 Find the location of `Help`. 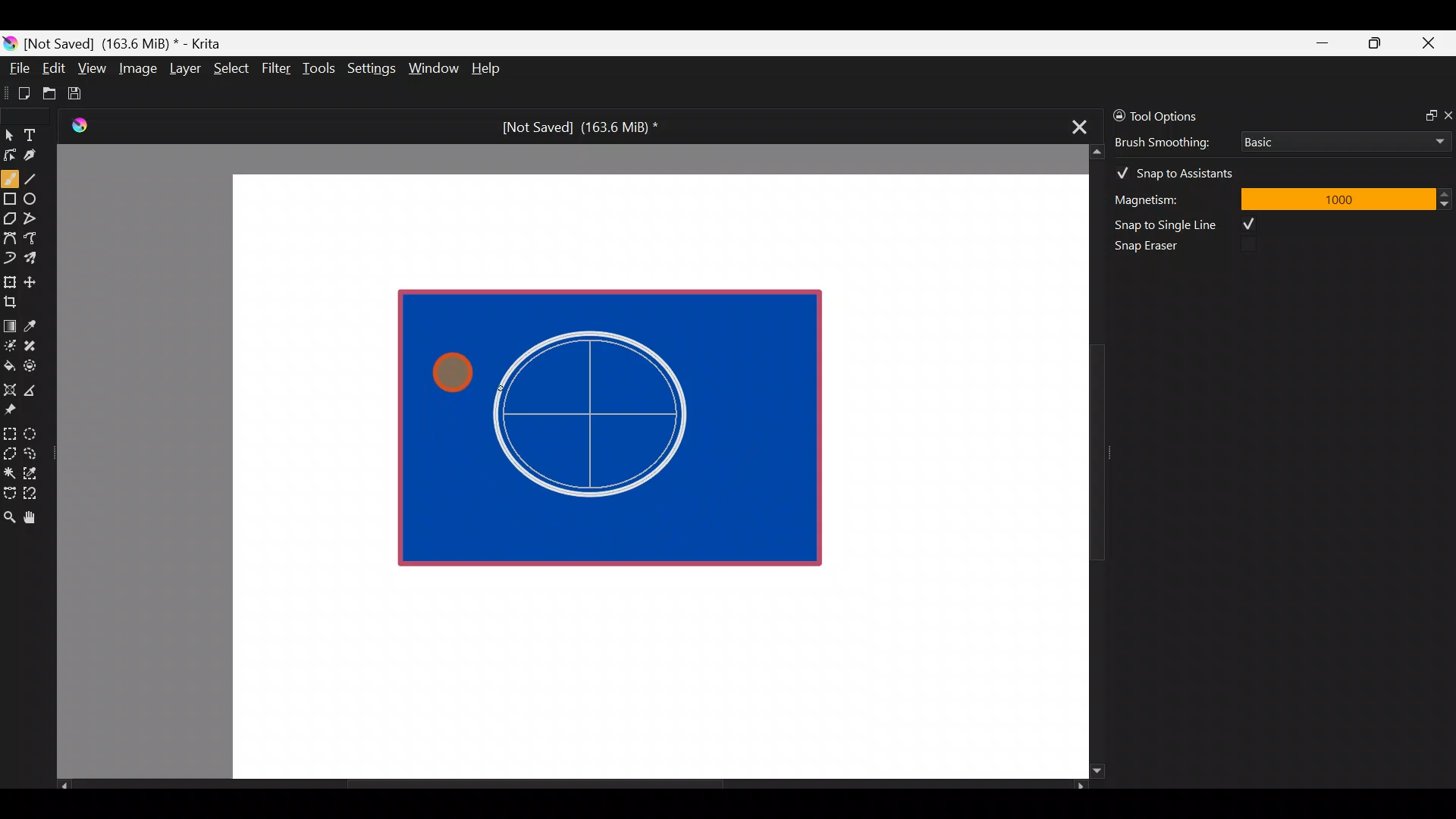

Help is located at coordinates (488, 70).